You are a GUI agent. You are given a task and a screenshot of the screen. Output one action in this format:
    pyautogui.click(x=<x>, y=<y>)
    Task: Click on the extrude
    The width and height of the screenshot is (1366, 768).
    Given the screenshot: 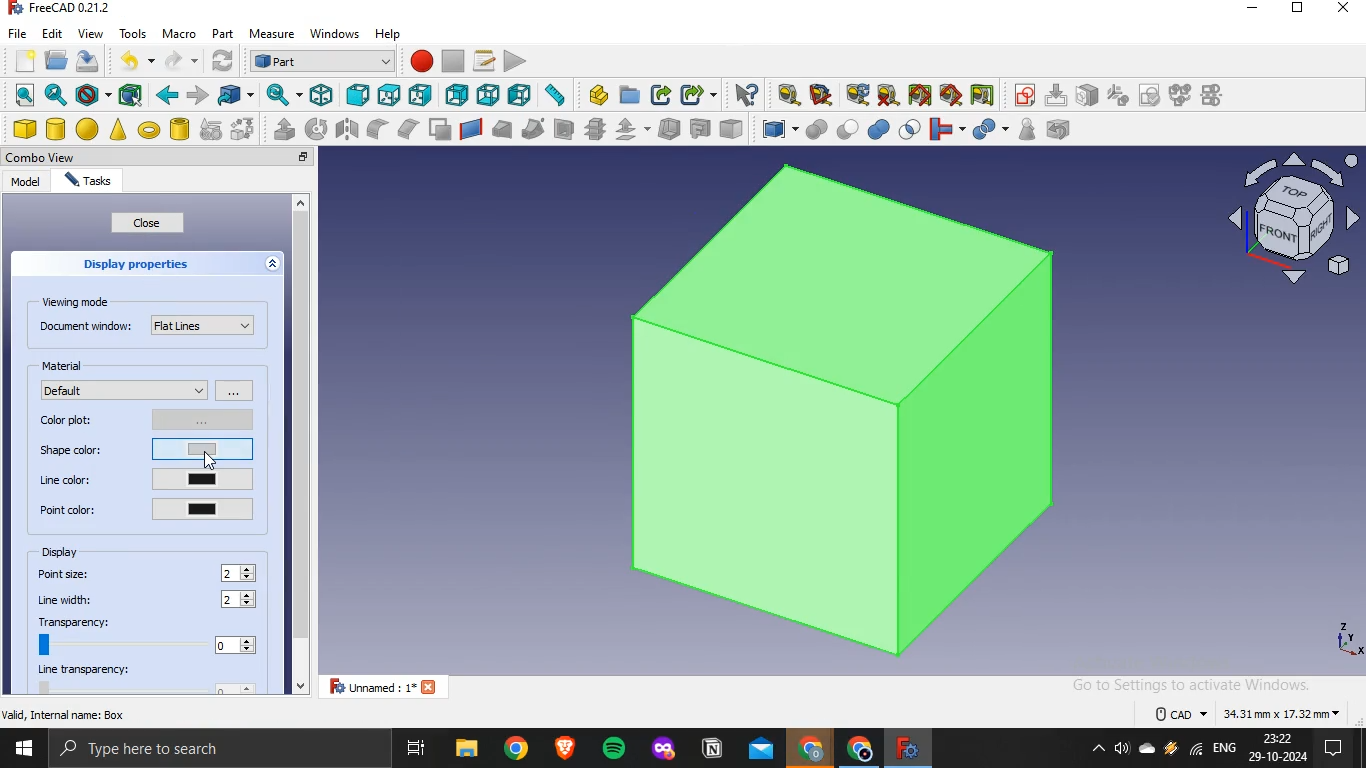 What is the action you would take?
    pyautogui.click(x=284, y=129)
    